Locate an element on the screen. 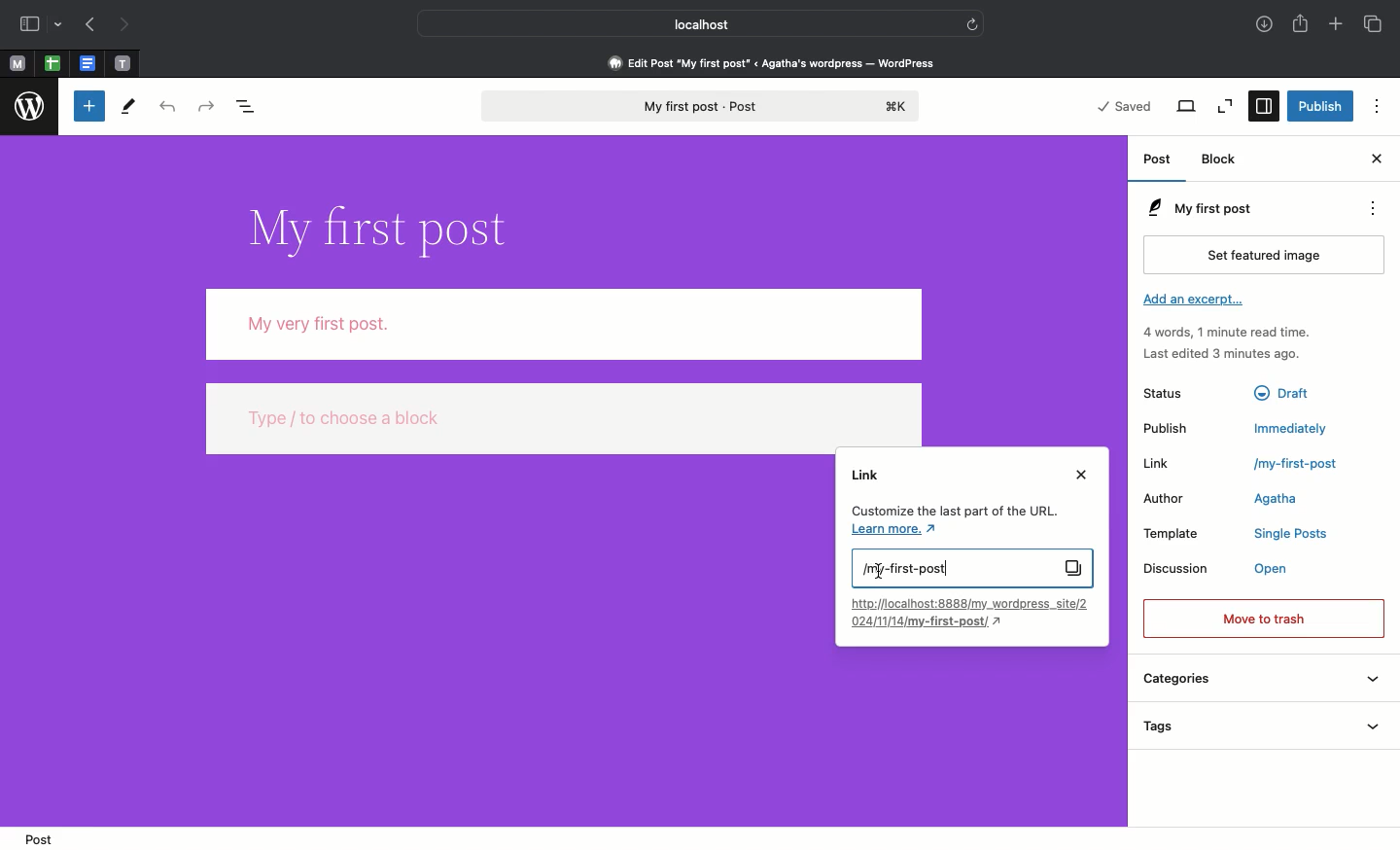  Pinned tabs is located at coordinates (18, 63).